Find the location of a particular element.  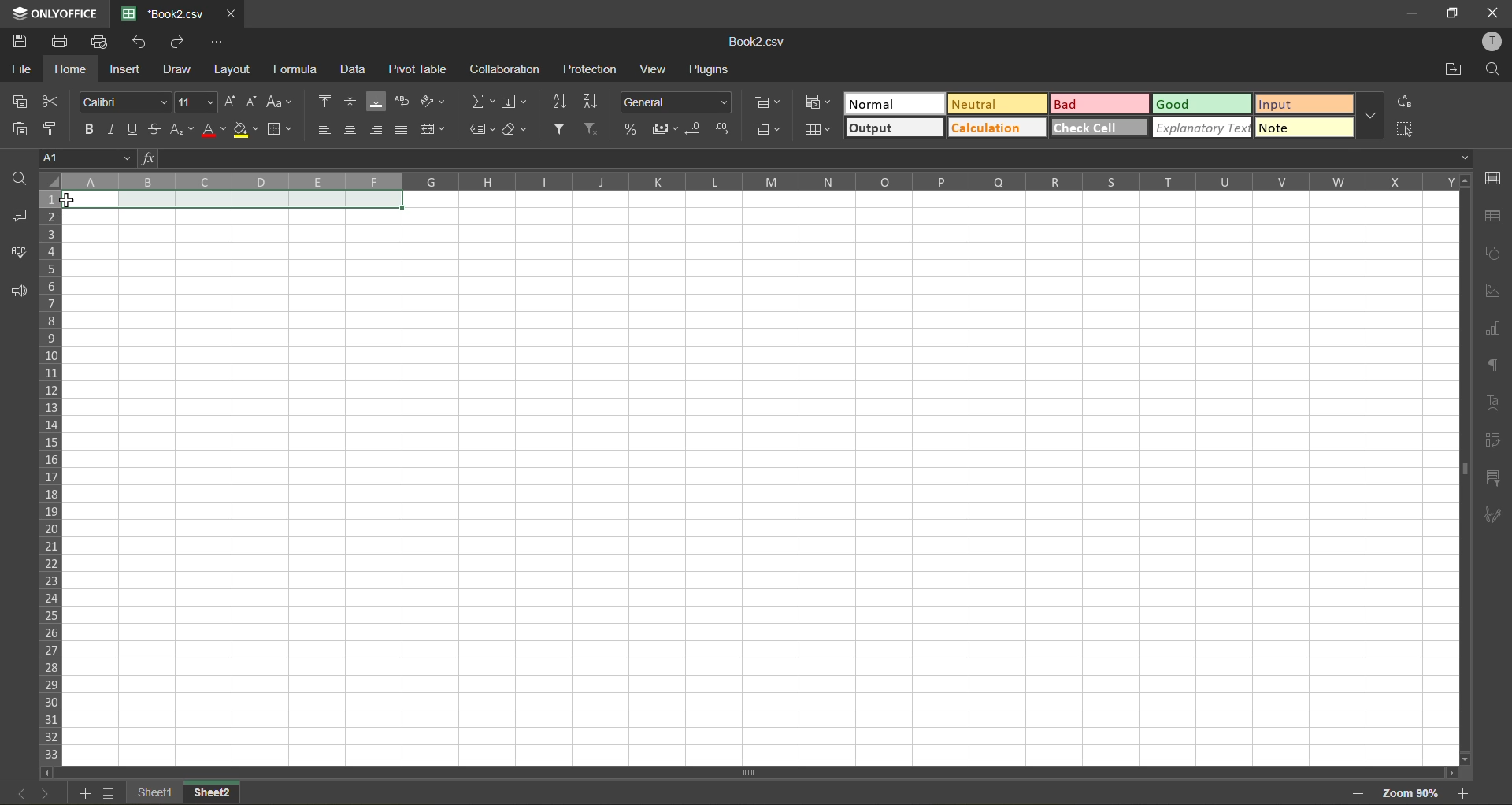

increment size is located at coordinates (228, 102).